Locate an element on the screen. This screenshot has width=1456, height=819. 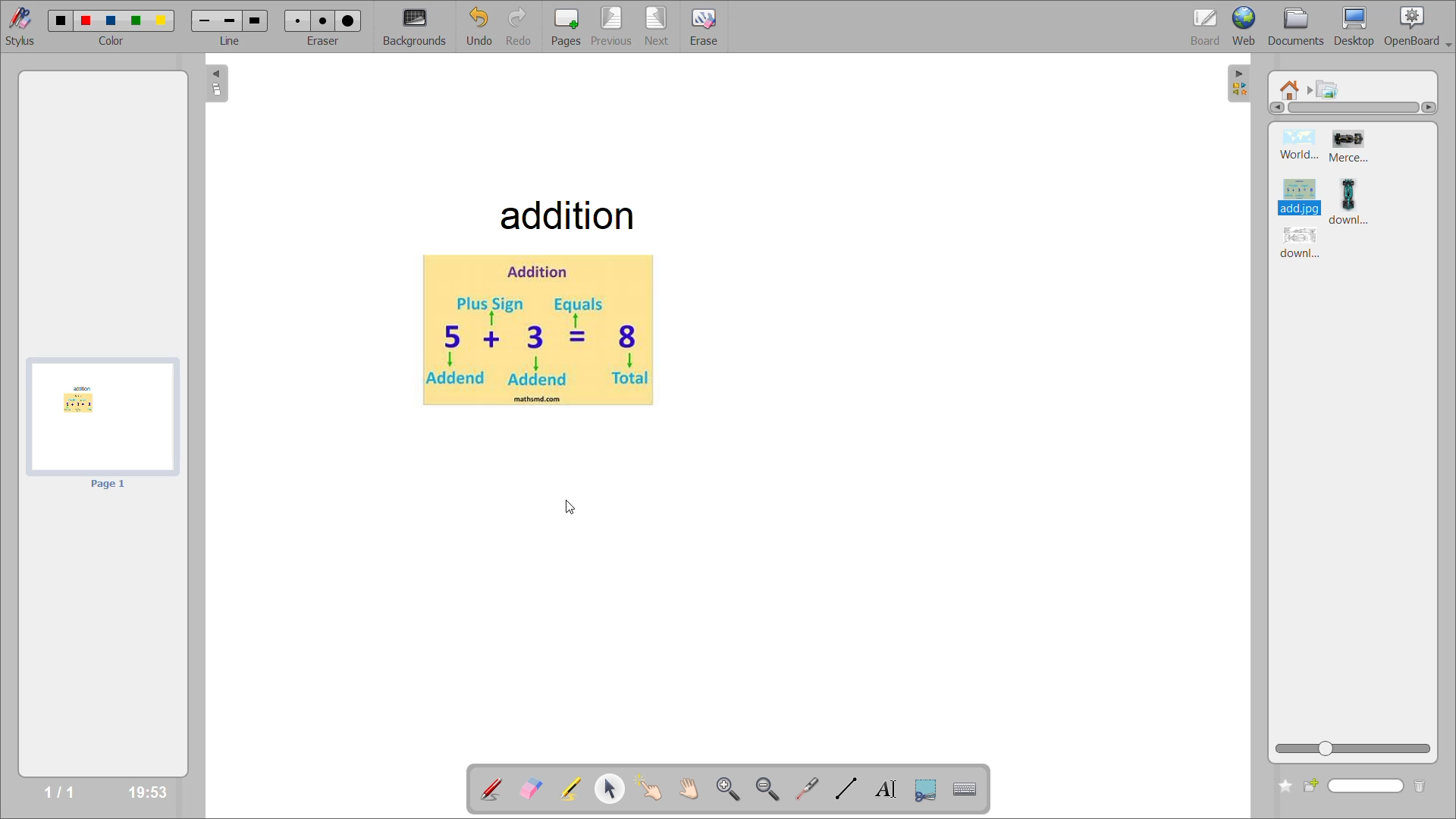
color 5 is located at coordinates (162, 22).